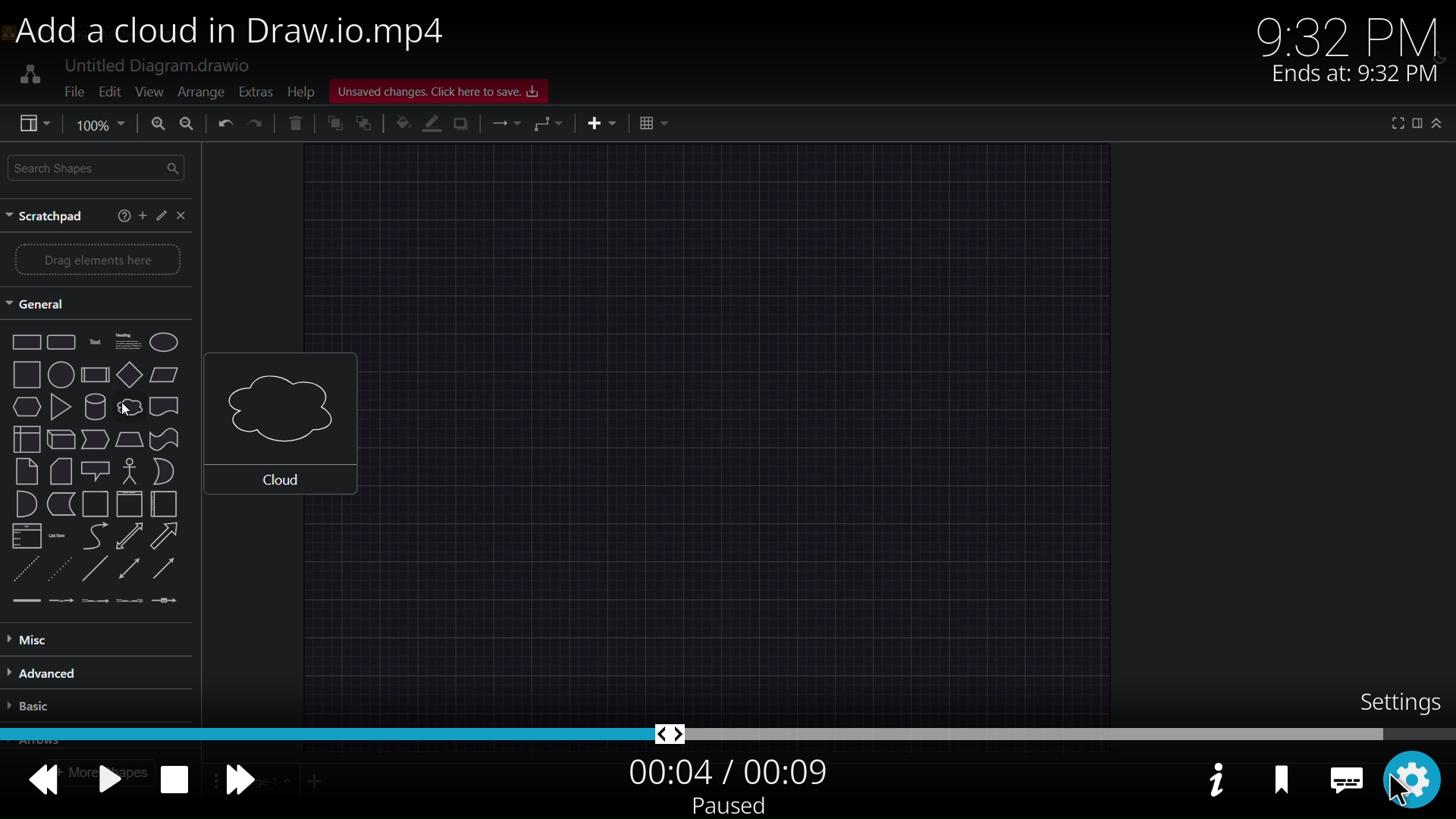 The width and height of the screenshot is (1456, 819). I want to click on 9:32 PM, so click(1355, 33).